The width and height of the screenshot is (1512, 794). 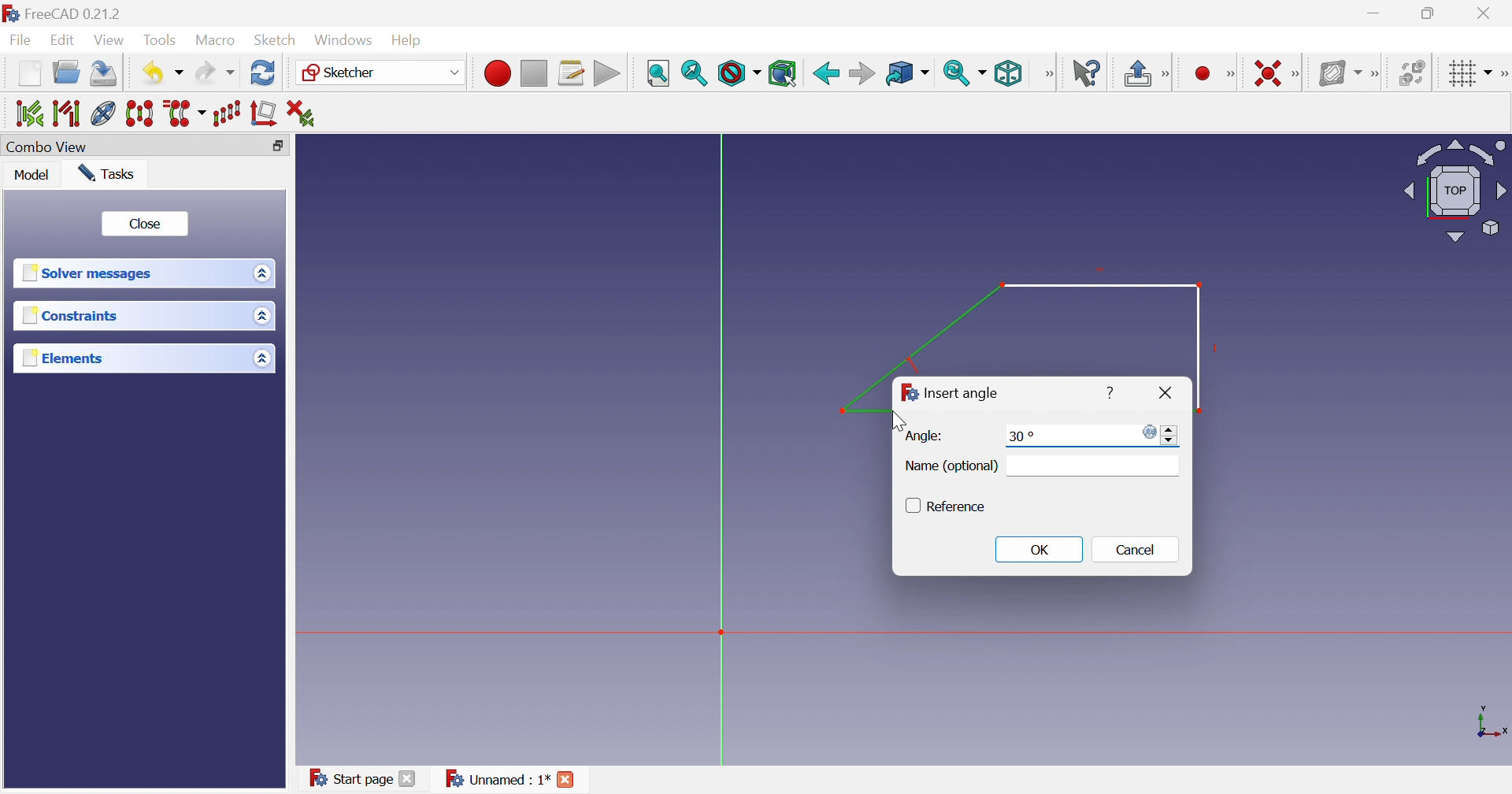 What do you see at coordinates (216, 41) in the screenshot?
I see `Macro` at bounding box center [216, 41].